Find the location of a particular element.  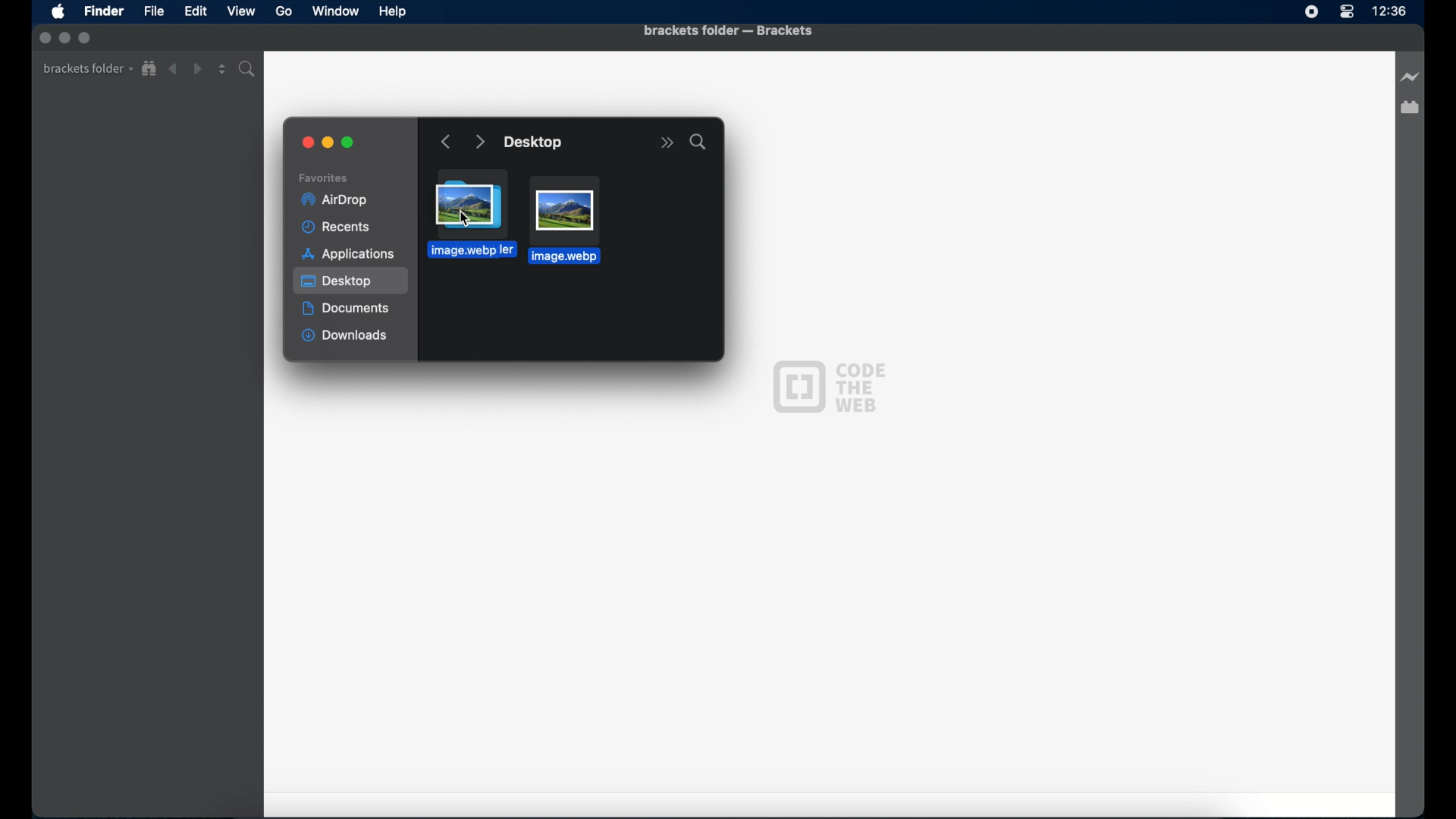

go forward is located at coordinates (479, 143).